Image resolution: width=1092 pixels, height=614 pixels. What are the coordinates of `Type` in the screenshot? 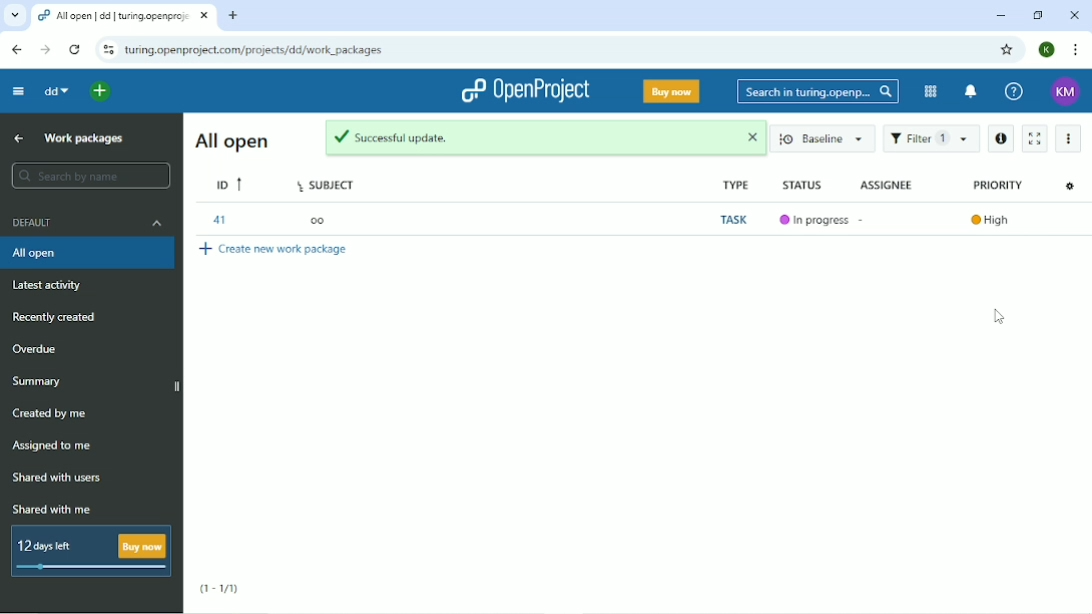 It's located at (734, 185).